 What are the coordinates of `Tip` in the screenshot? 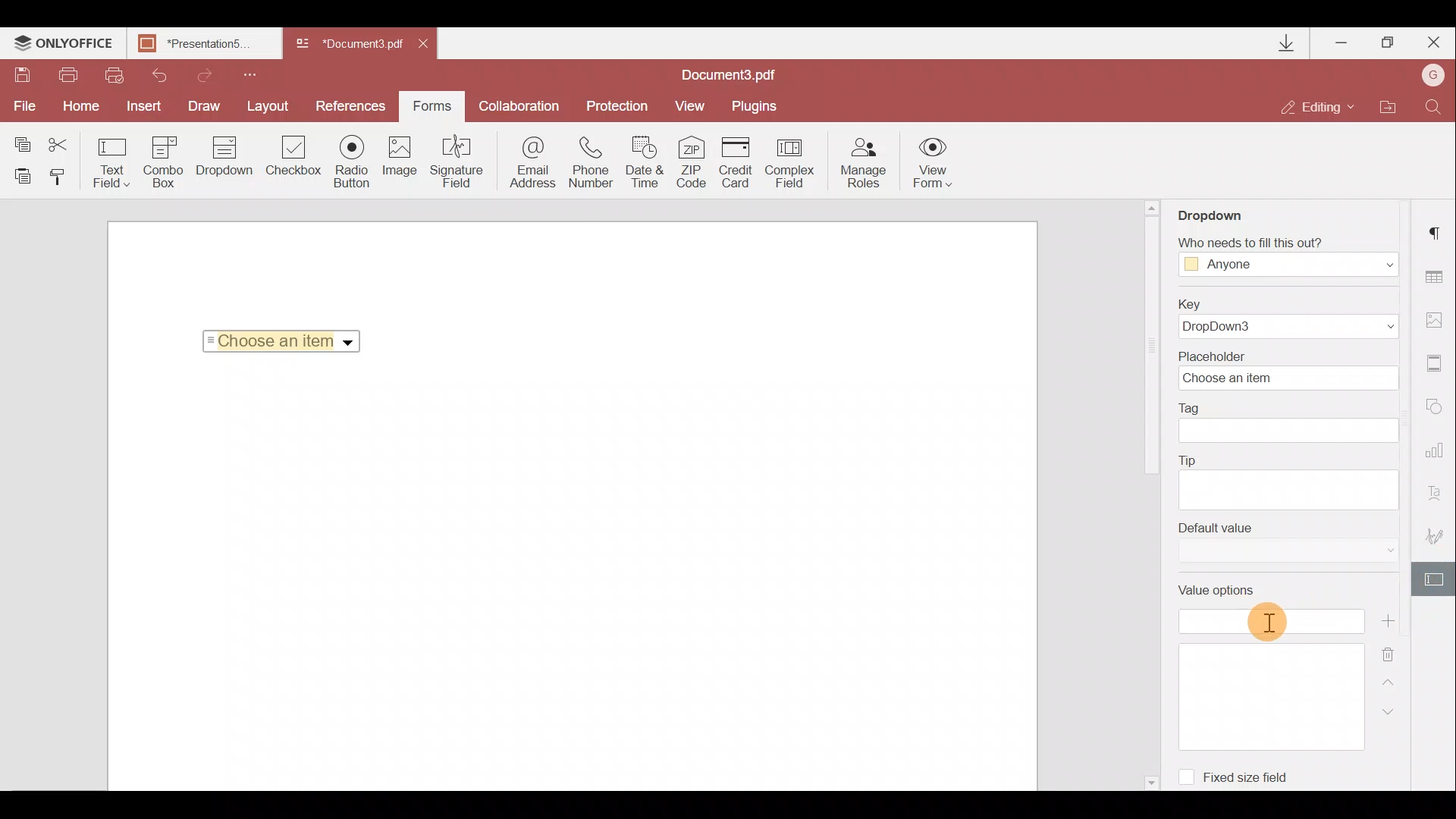 It's located at (1288, 480).